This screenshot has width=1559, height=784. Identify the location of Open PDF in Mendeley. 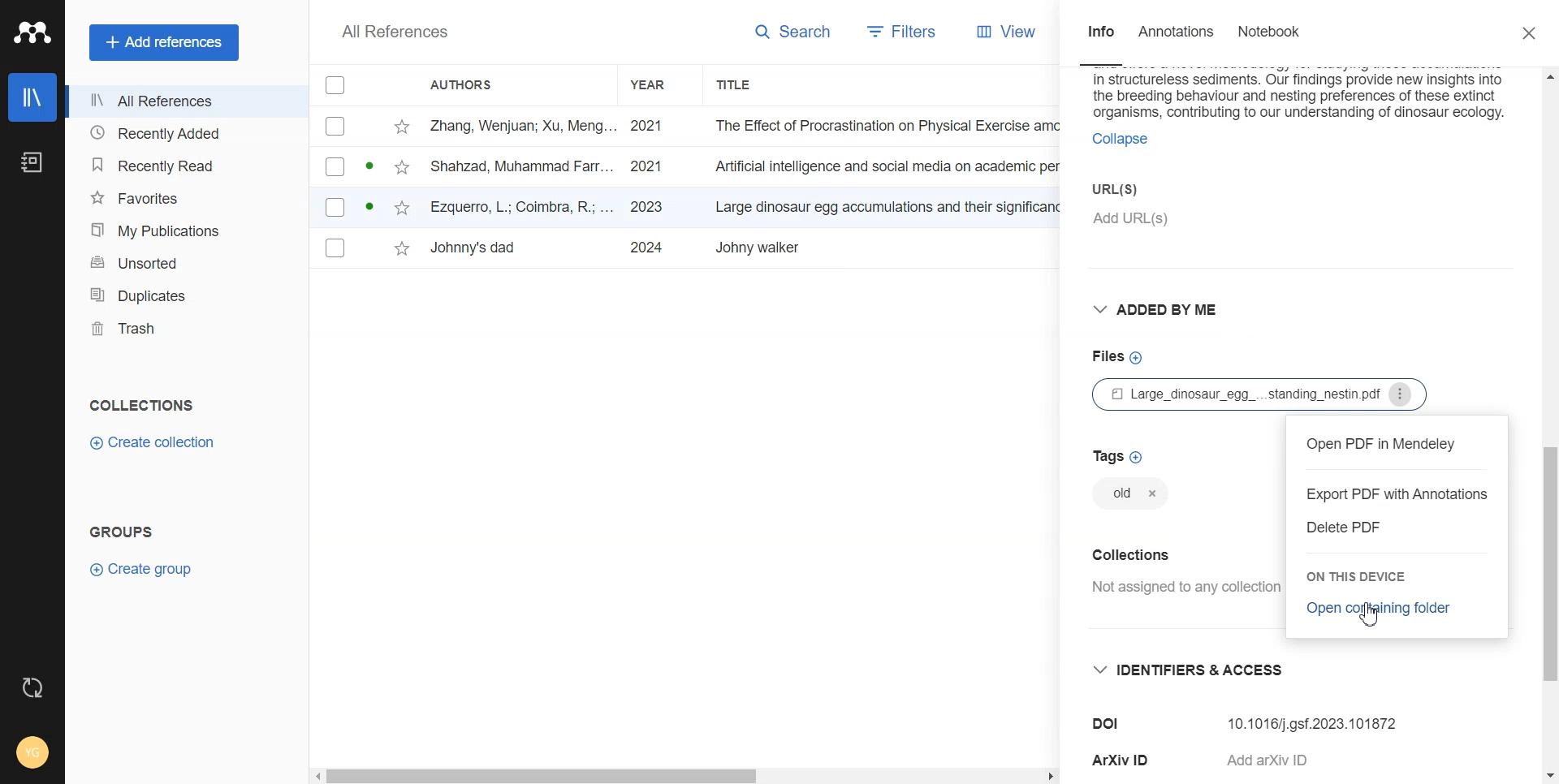
(1397, 444).